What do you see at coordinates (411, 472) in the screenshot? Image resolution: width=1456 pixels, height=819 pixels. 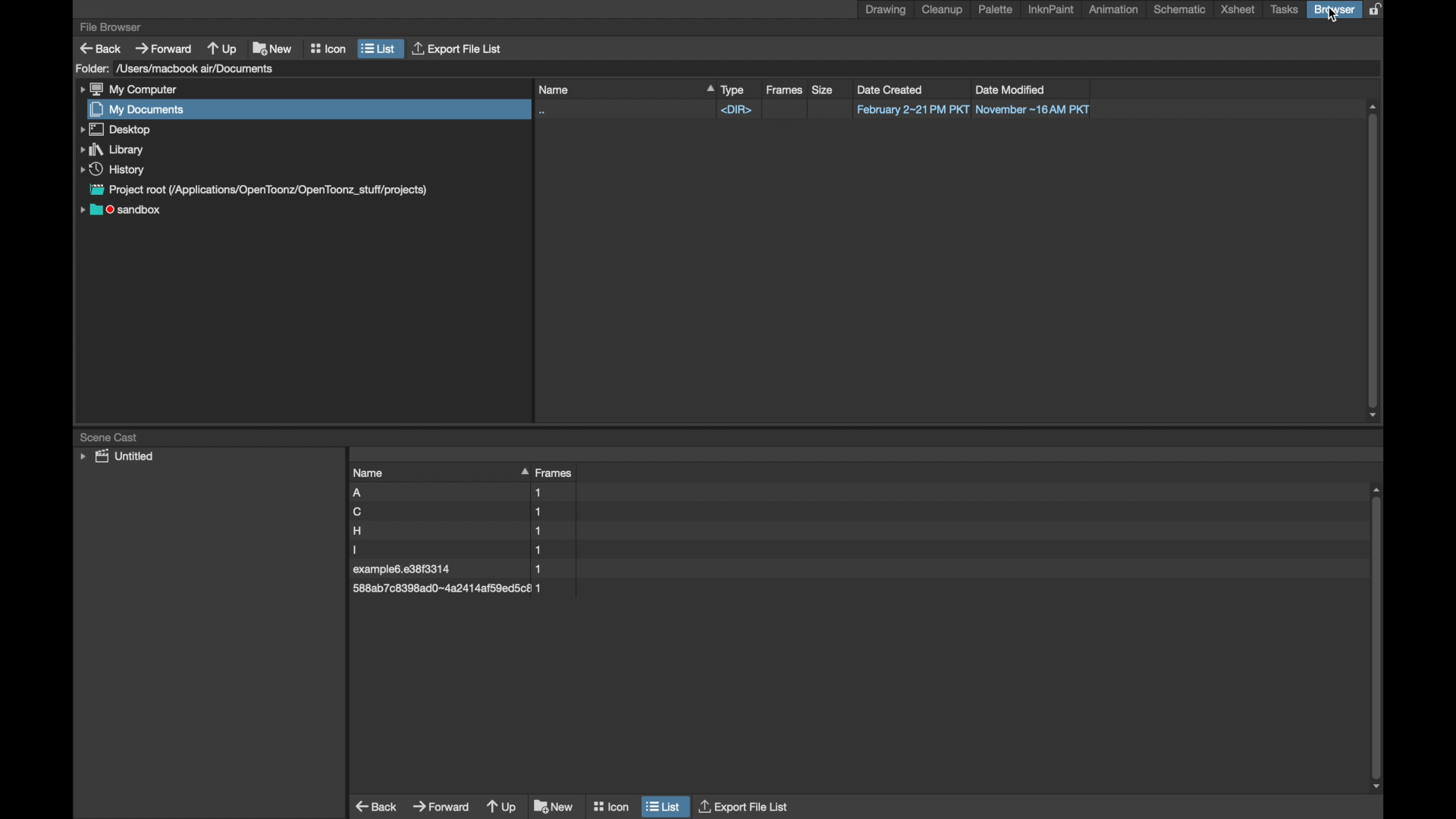 I see `name` at bounding box center [411, 472].